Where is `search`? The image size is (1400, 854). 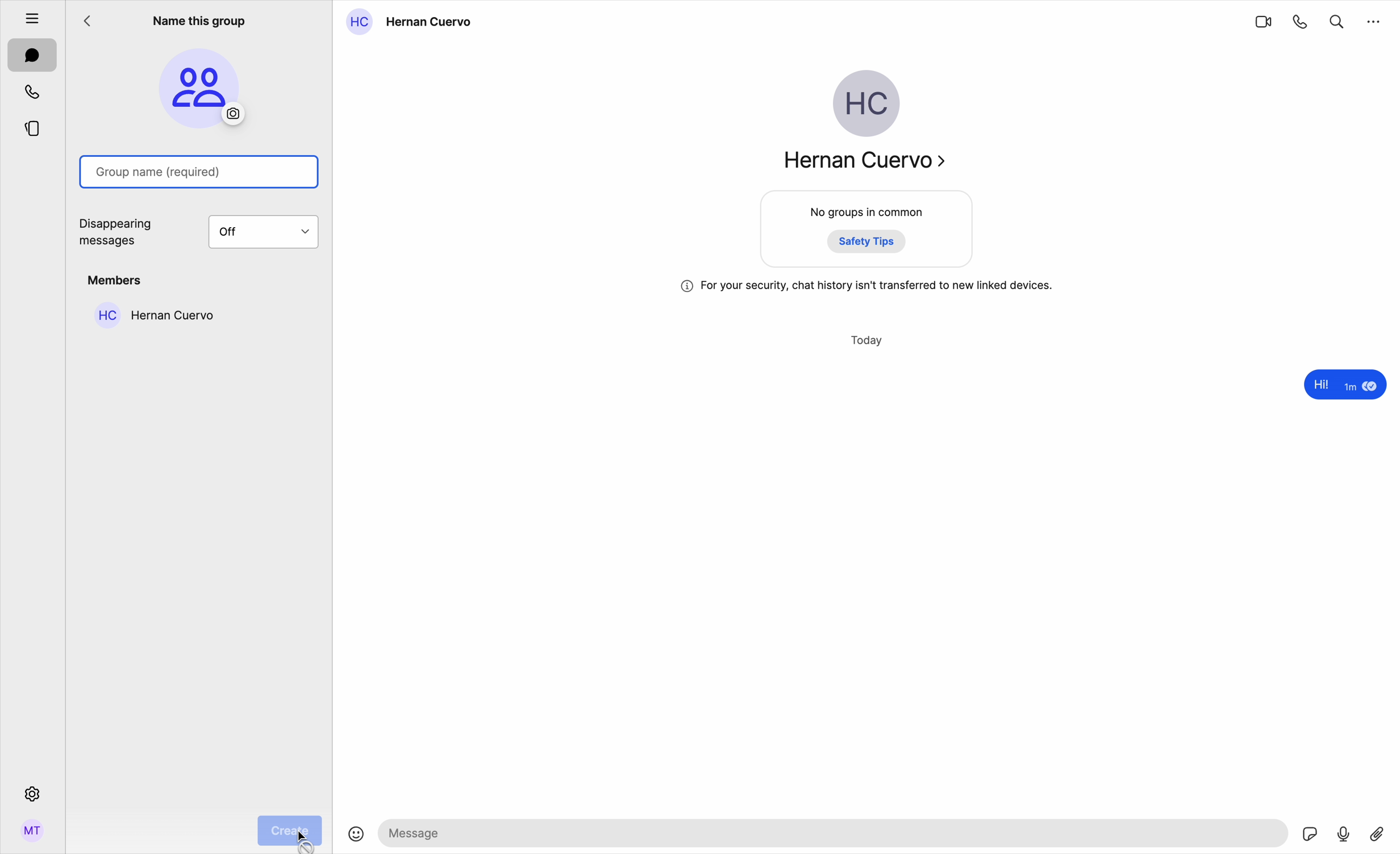 search is located at coordinates (1337, 19).